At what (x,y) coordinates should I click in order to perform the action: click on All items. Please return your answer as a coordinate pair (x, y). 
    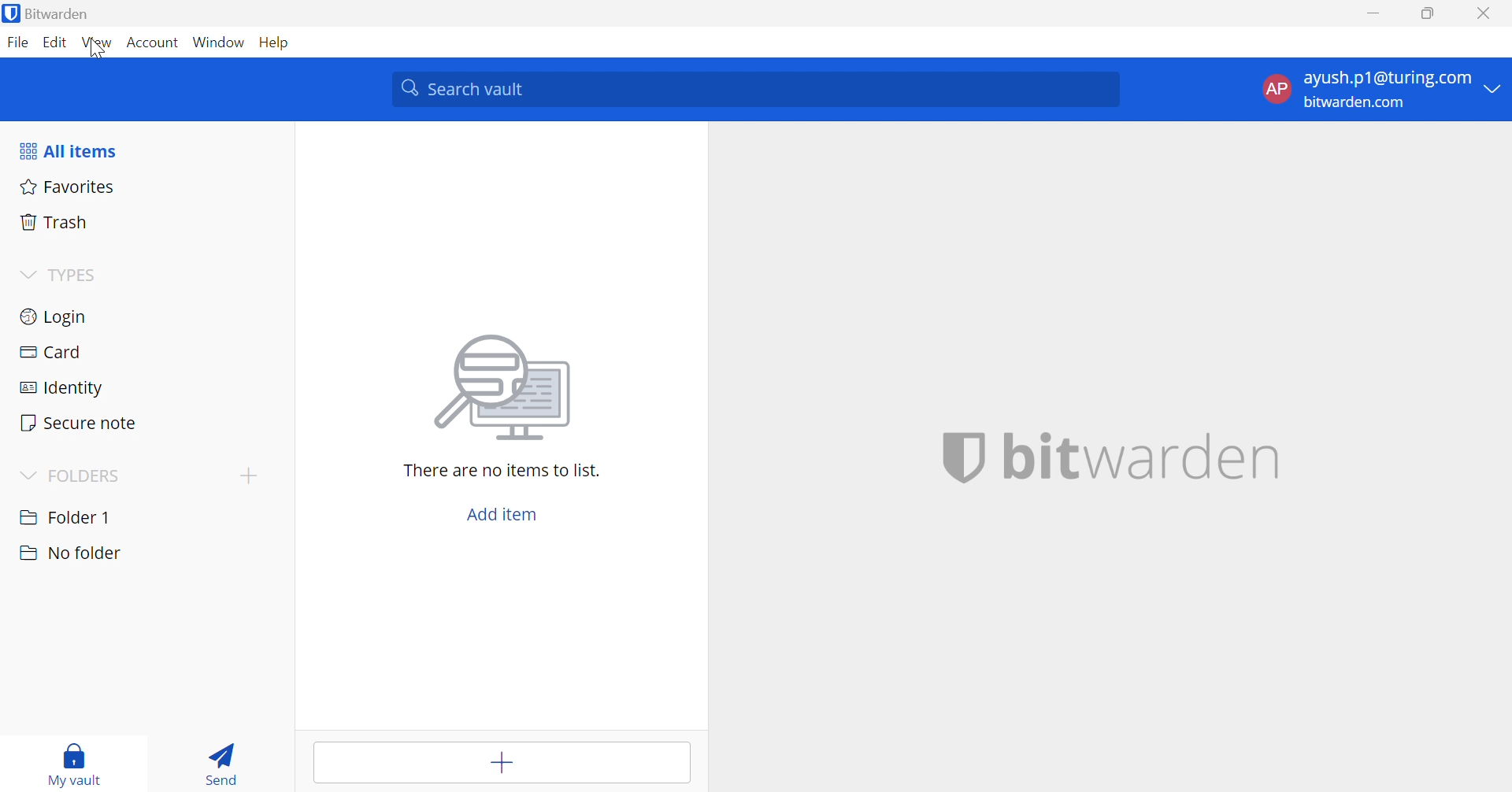
    Looking at the image, I should click on (69, 152).